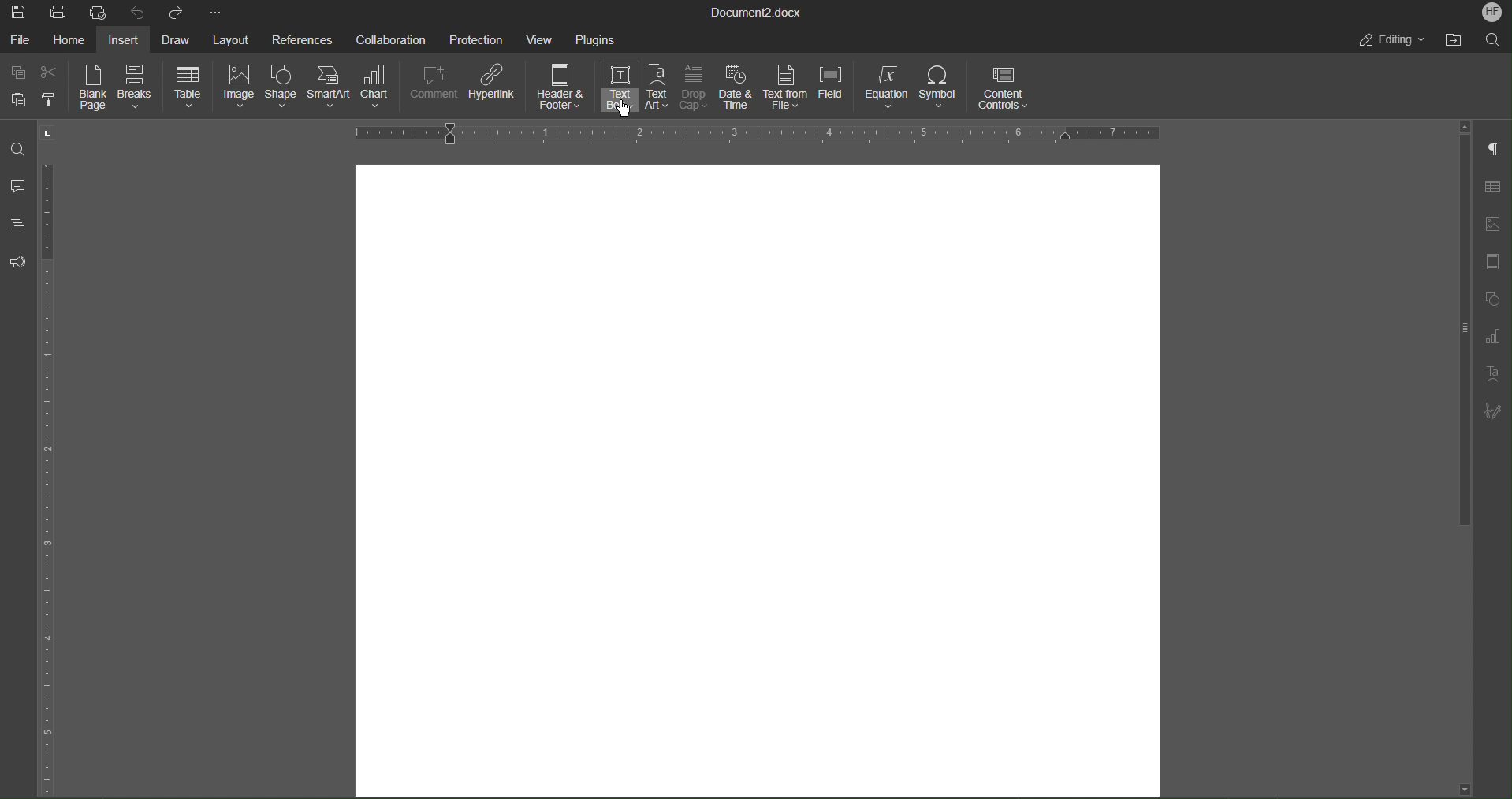 This screenshot has height=799, width=1512. What do you see at coordinates (494, 87) in the screenshot?
I see `Hyperlink` at bounding box center [494, 87].